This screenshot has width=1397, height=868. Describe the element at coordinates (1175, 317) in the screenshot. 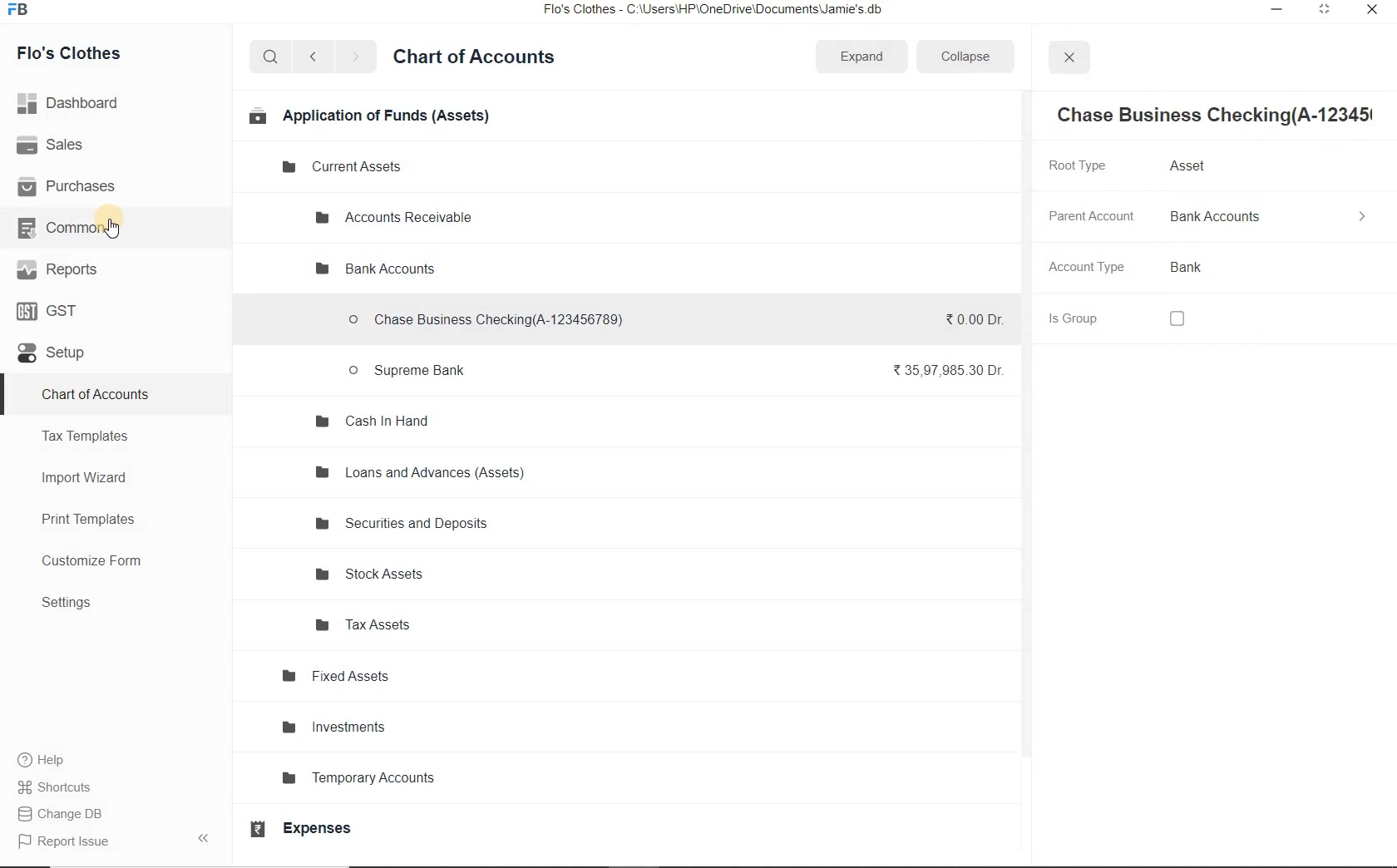

I see `checkbox` at that location.